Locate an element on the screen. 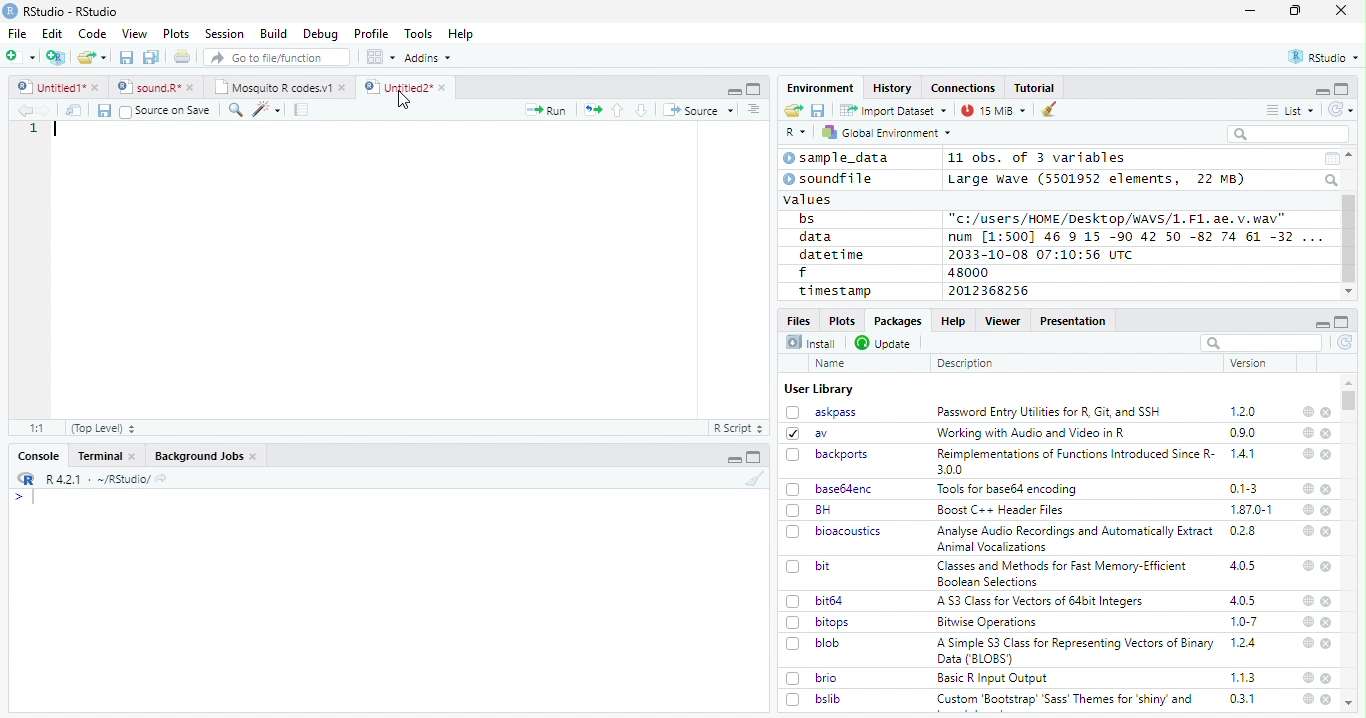  Source on Save is located at coordinates (164, 110).